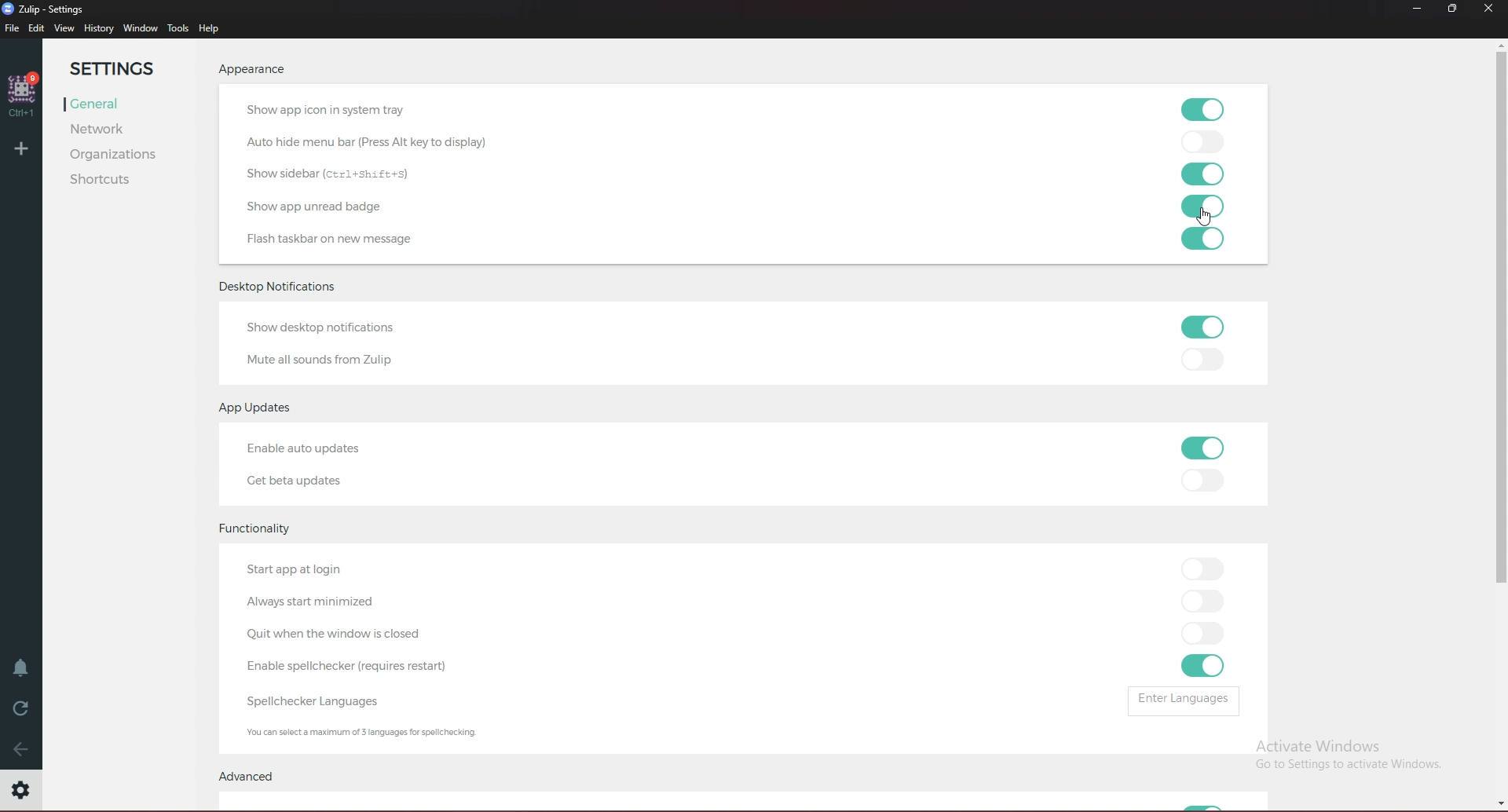 Image resolution: width=1508 pixels, height=812 pixels. I want to click on toggle, so click(1209, 360).